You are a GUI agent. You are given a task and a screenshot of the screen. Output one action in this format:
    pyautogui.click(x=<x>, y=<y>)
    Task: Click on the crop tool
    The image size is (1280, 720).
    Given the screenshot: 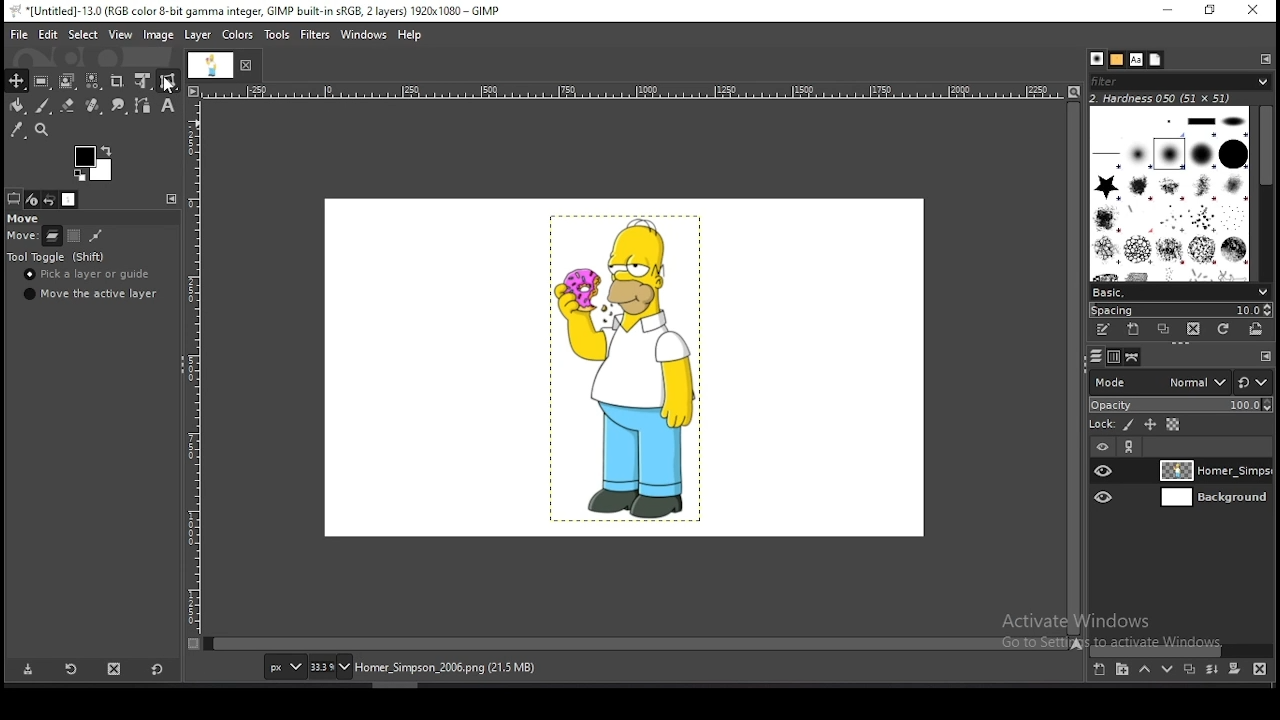 What is the action you would take?
    pyautogui.click(x=119, y=81)
    